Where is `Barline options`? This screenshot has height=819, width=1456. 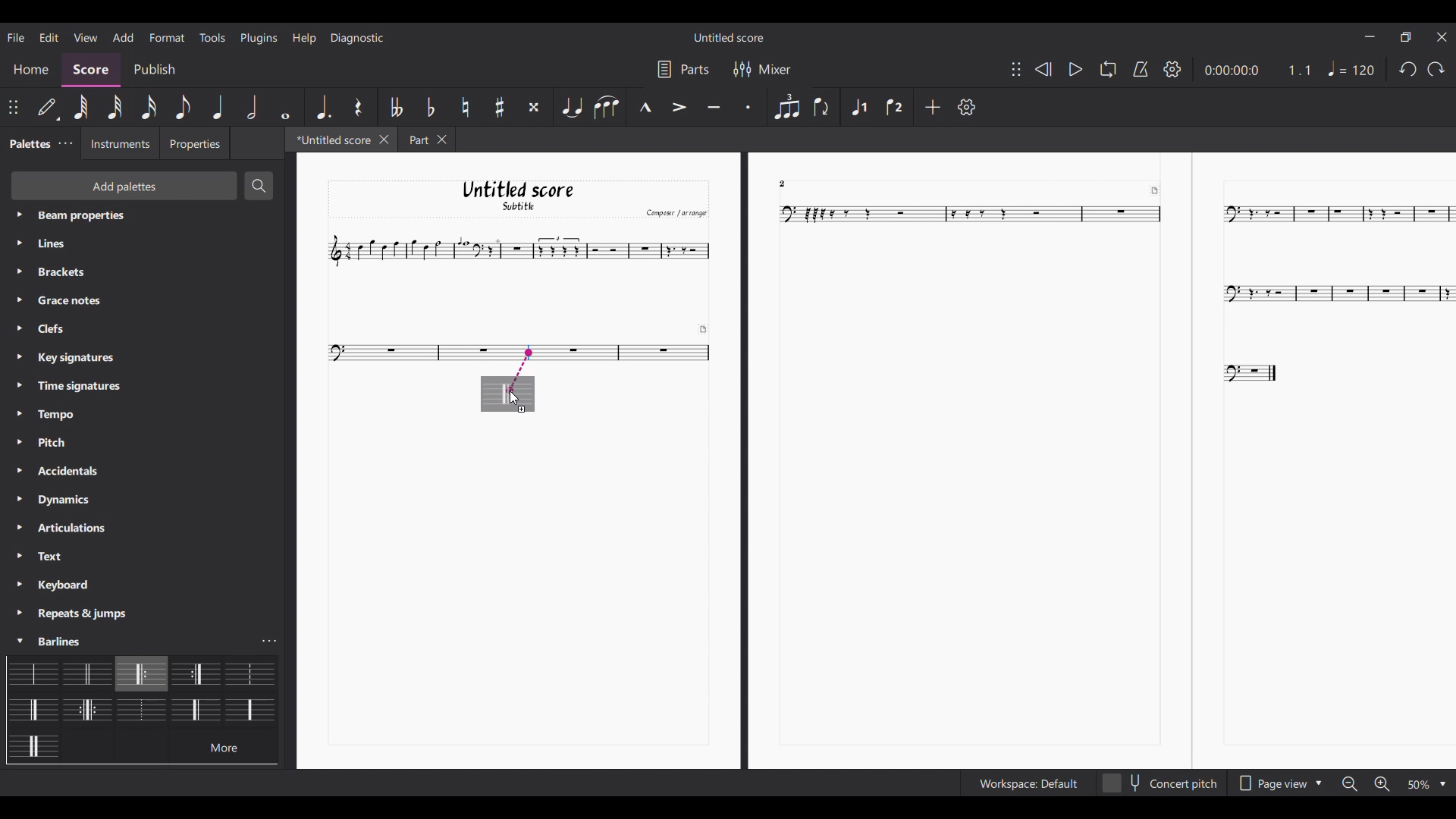
Barline options is located at coordinates (36, 708).